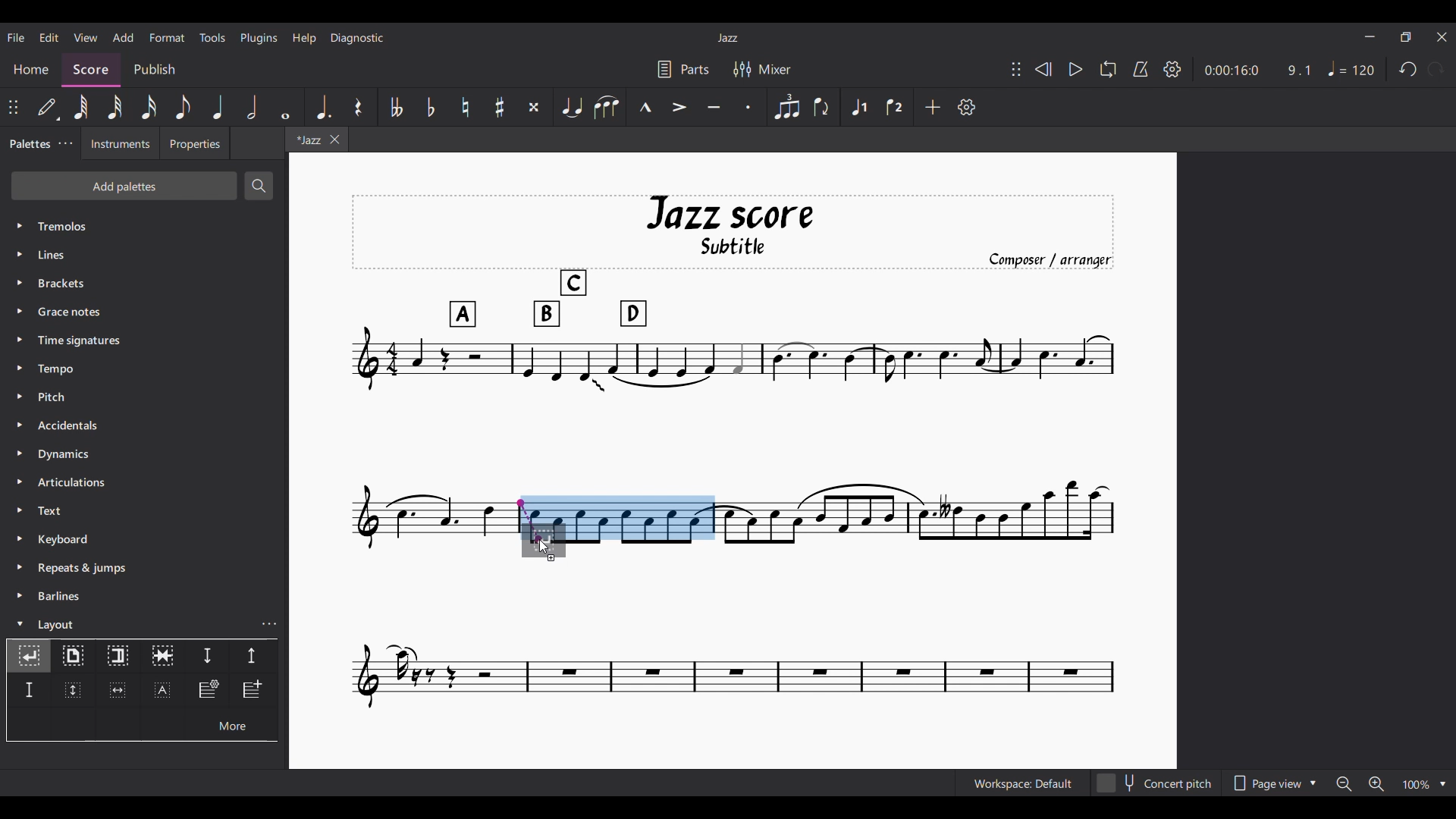  What do you see at coordinates (218, 107) in the screenshot?
I see `Quarter note` at bounding box center [218, 107].